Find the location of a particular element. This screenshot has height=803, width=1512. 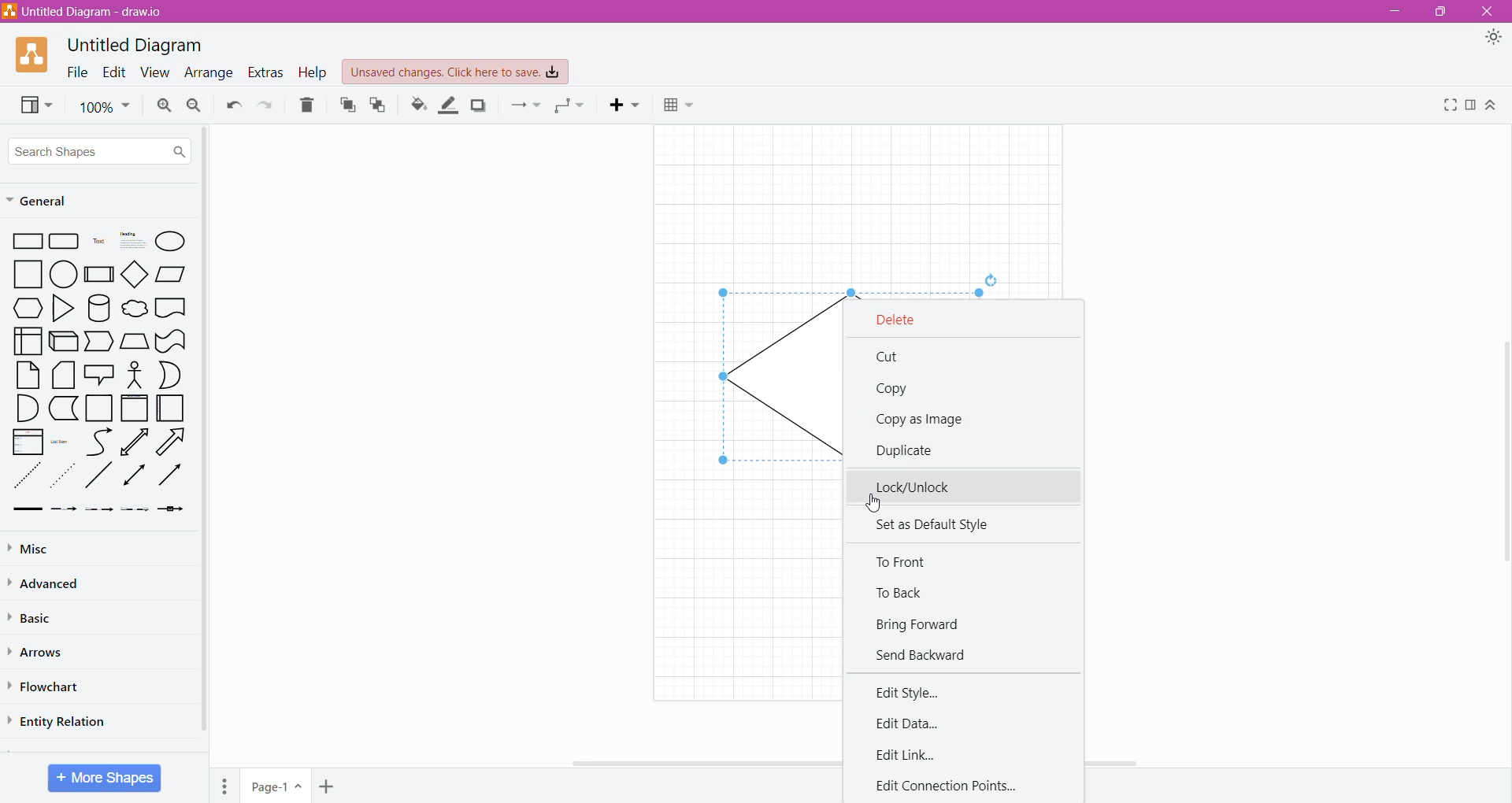

Connection is located at coordinates (526, 105).